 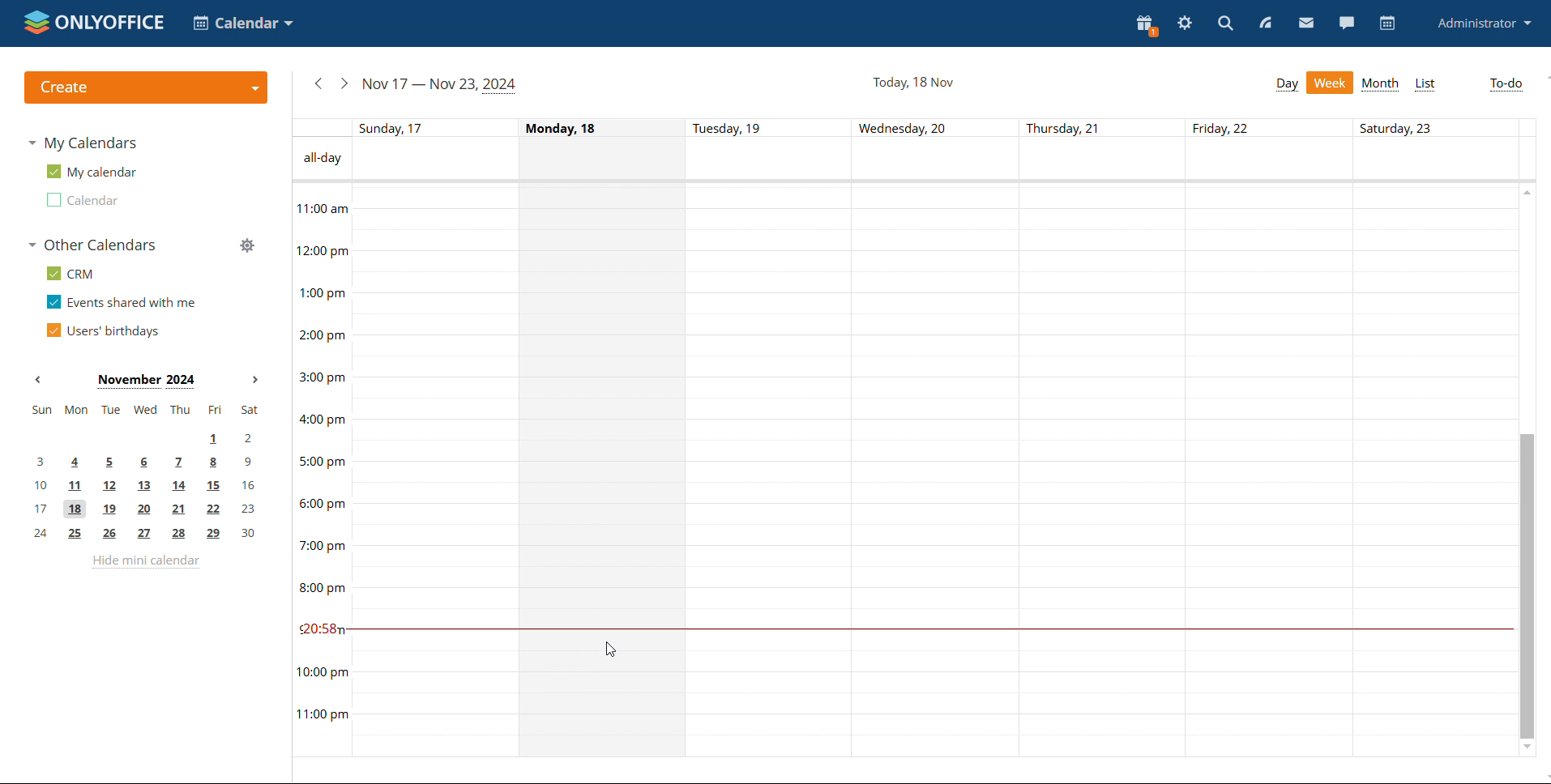 What do you see at coordinates (146, 381) in the screenshot?
I see `Month on display` at bounding box center [146, 381].